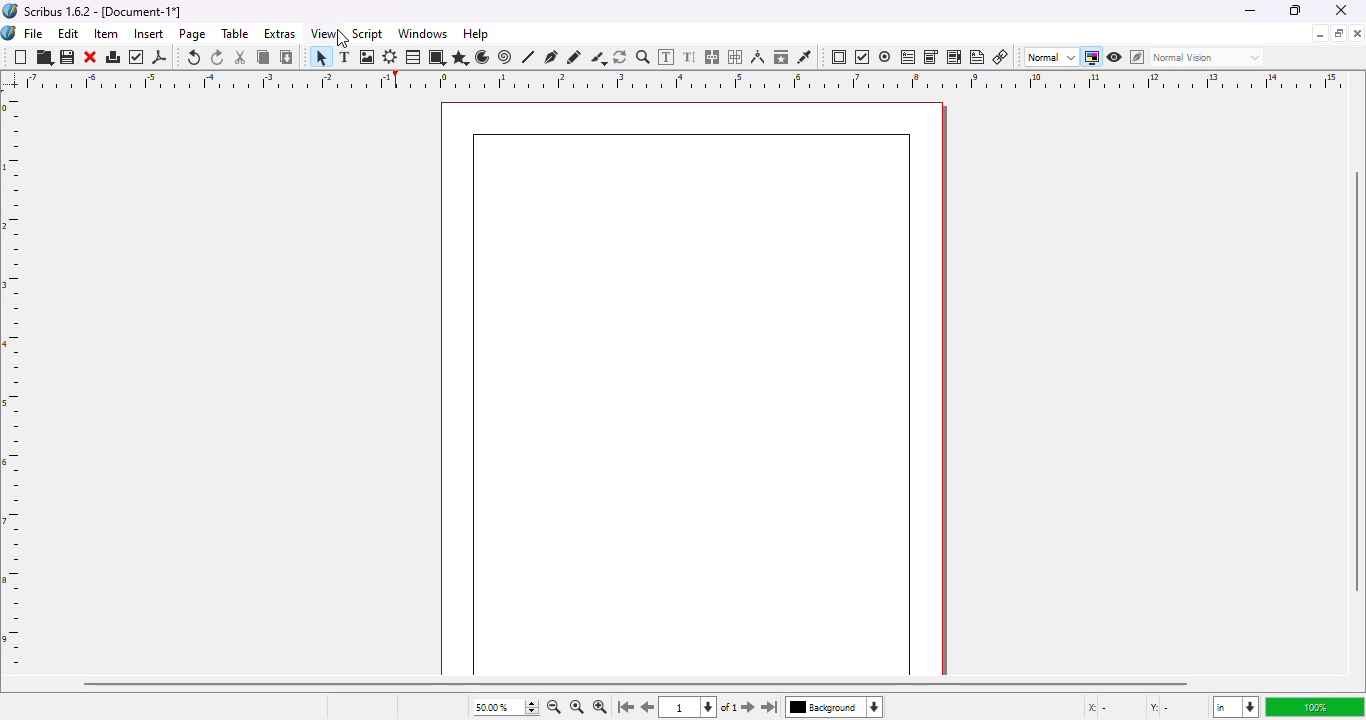  I want to click on view, so click(324, 33).